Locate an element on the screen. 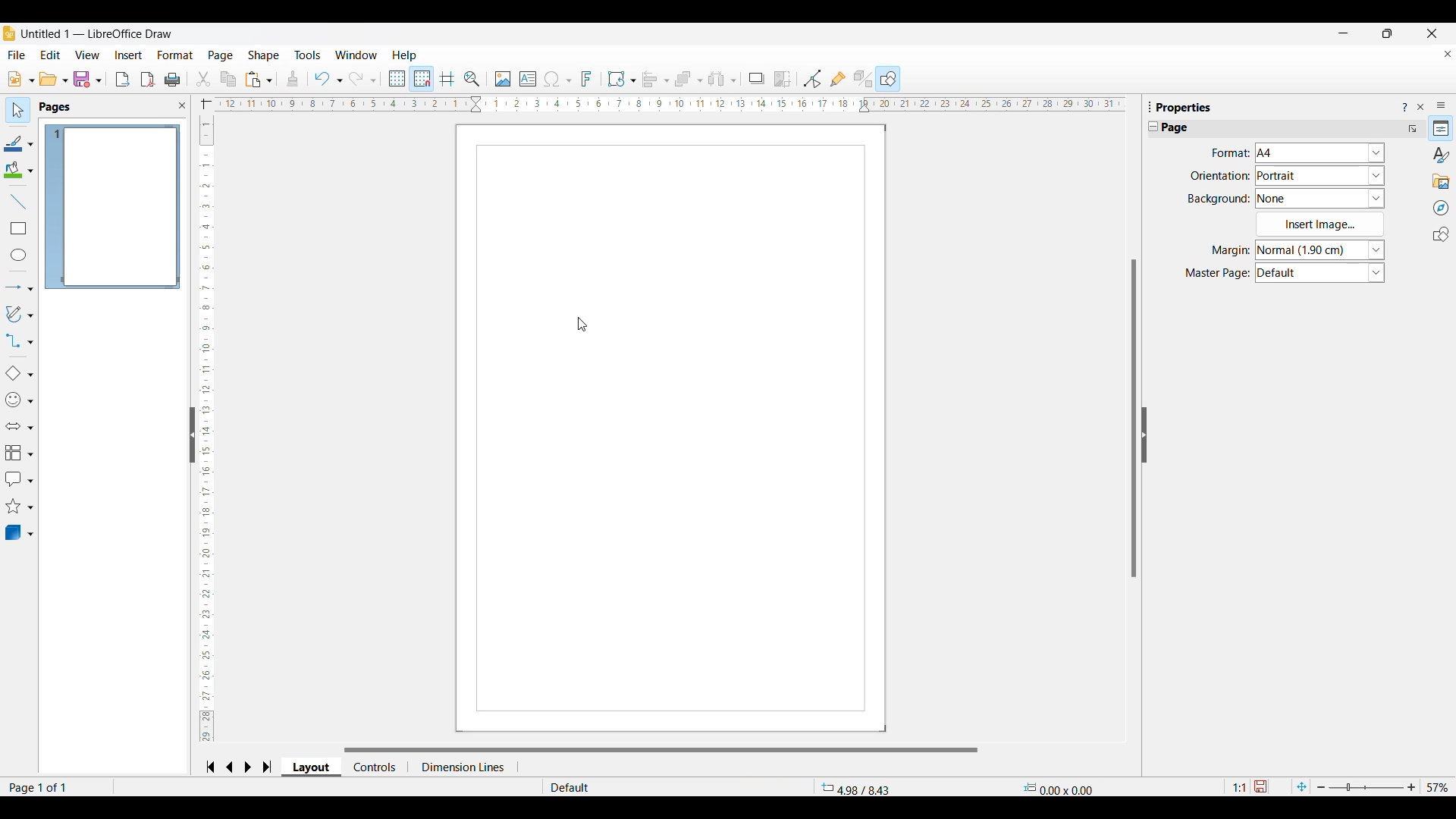  Insert rectangle is located at coordinates (19, 228).